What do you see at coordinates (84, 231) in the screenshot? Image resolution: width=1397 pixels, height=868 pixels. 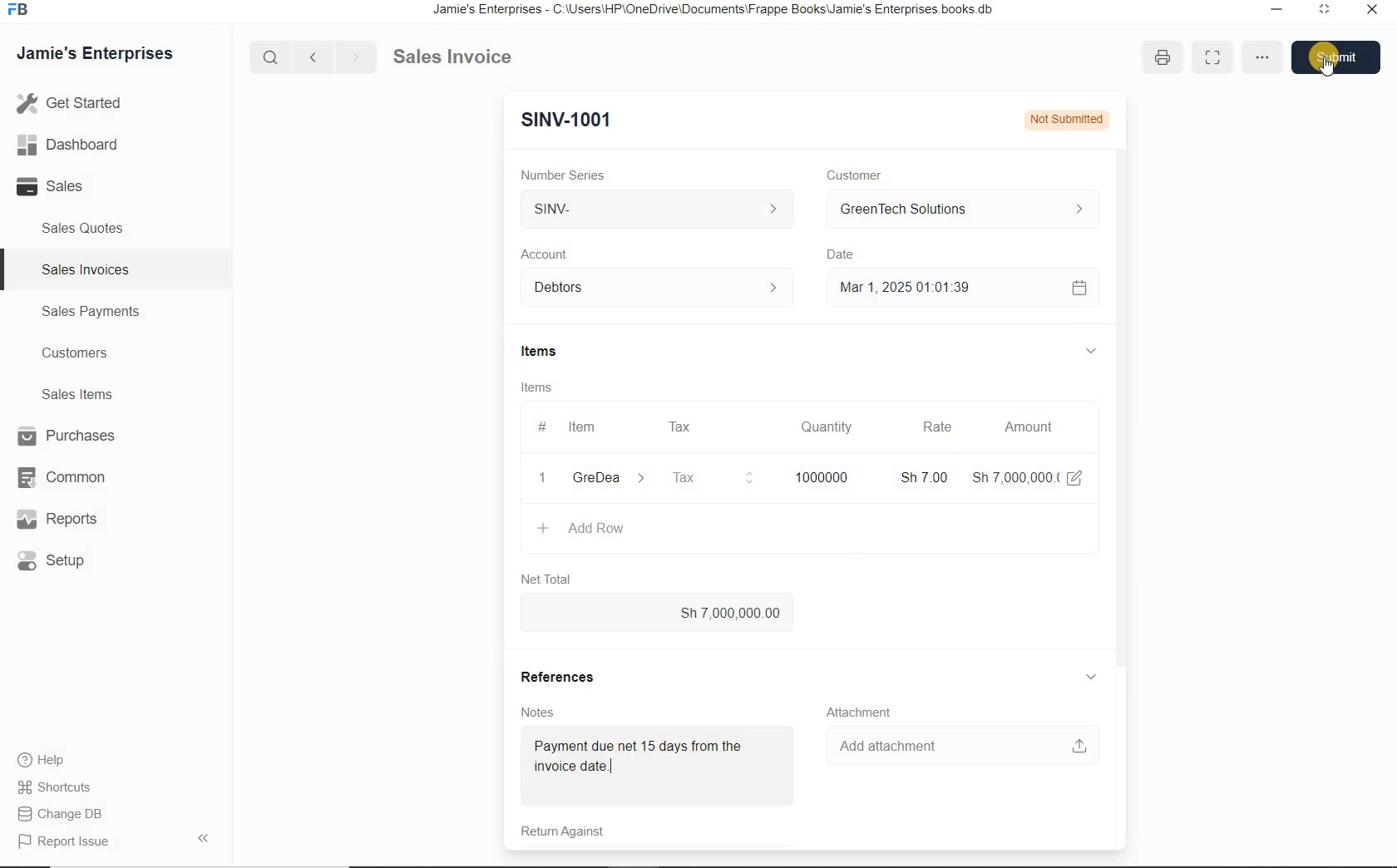 I see `Sales Quotes` at bounding box center [84, 231].